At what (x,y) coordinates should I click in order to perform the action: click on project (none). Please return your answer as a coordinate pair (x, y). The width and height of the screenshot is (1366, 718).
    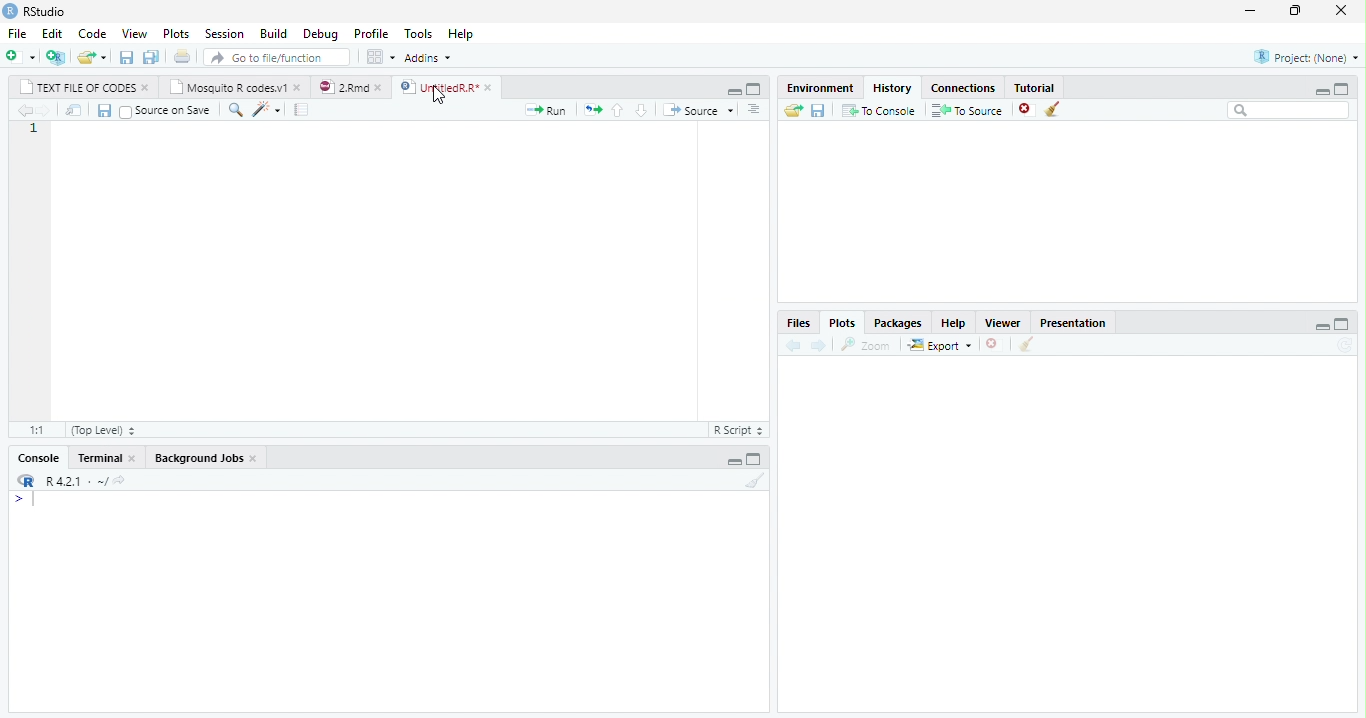
    Looking at the image, I should click on (1306, 55).